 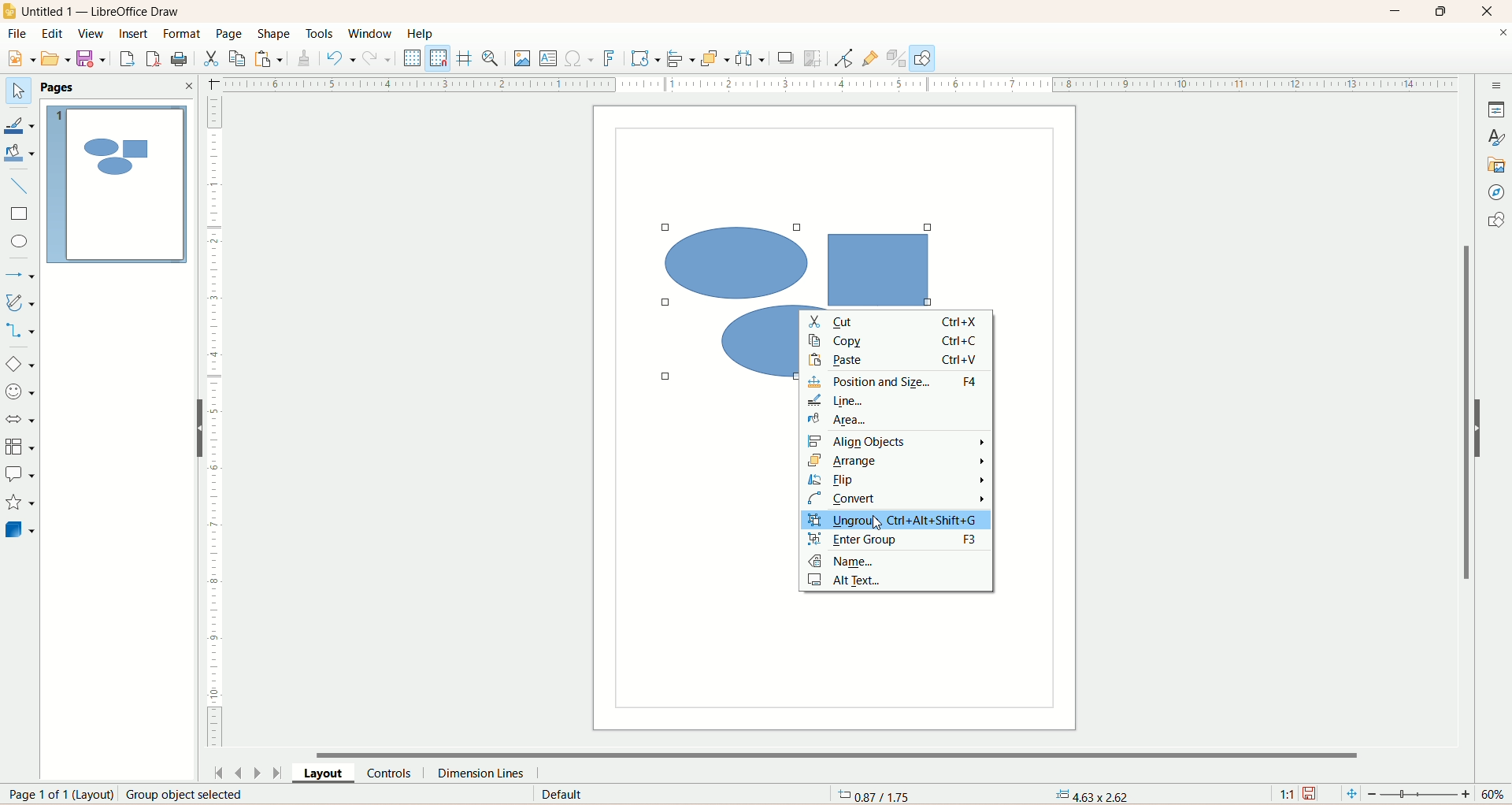 What do you see at coordinates (895, 402) in the screenshot?
I see `line` at bounding box center [895, 402].